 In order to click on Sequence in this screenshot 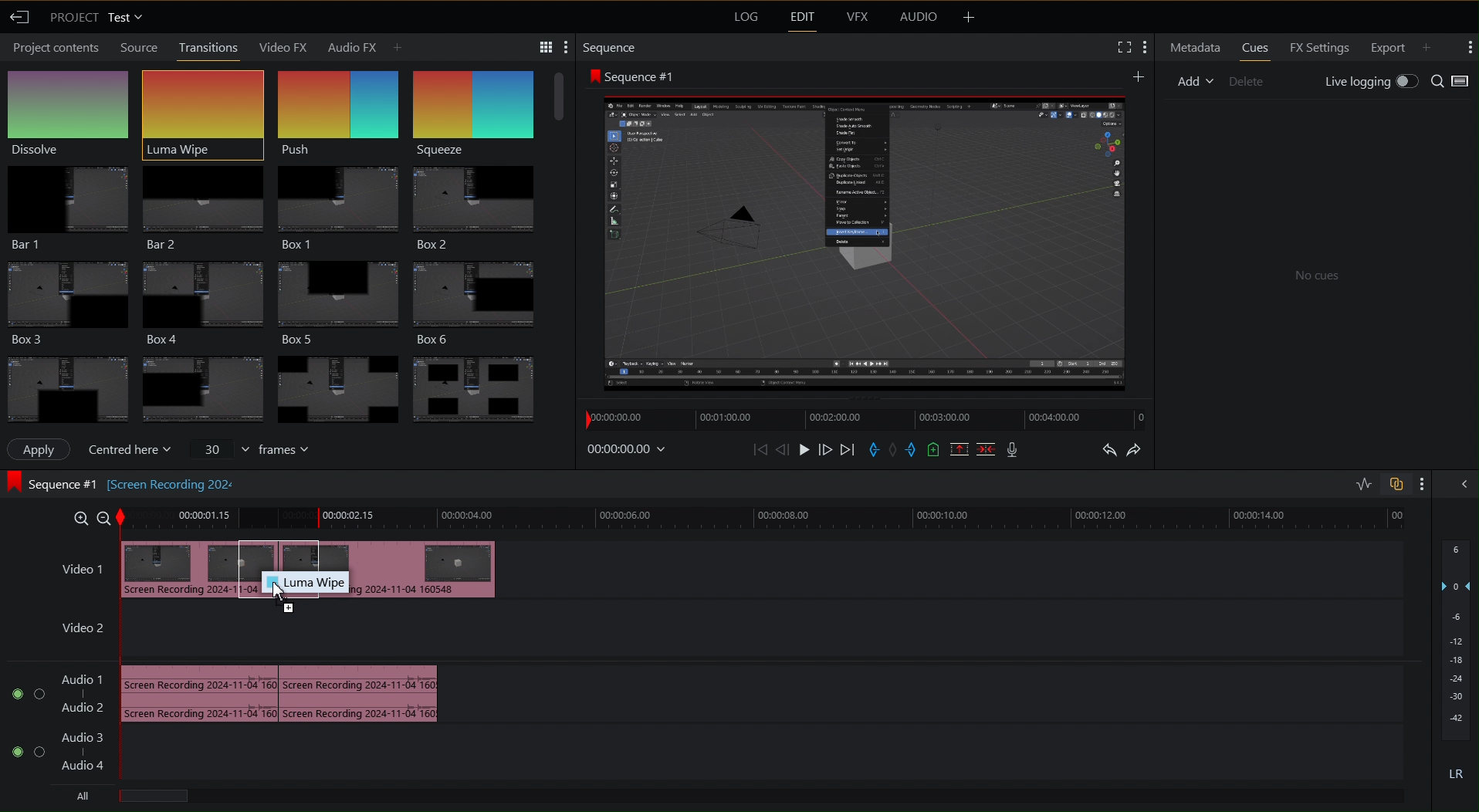, I will do `click(611, 46)`.